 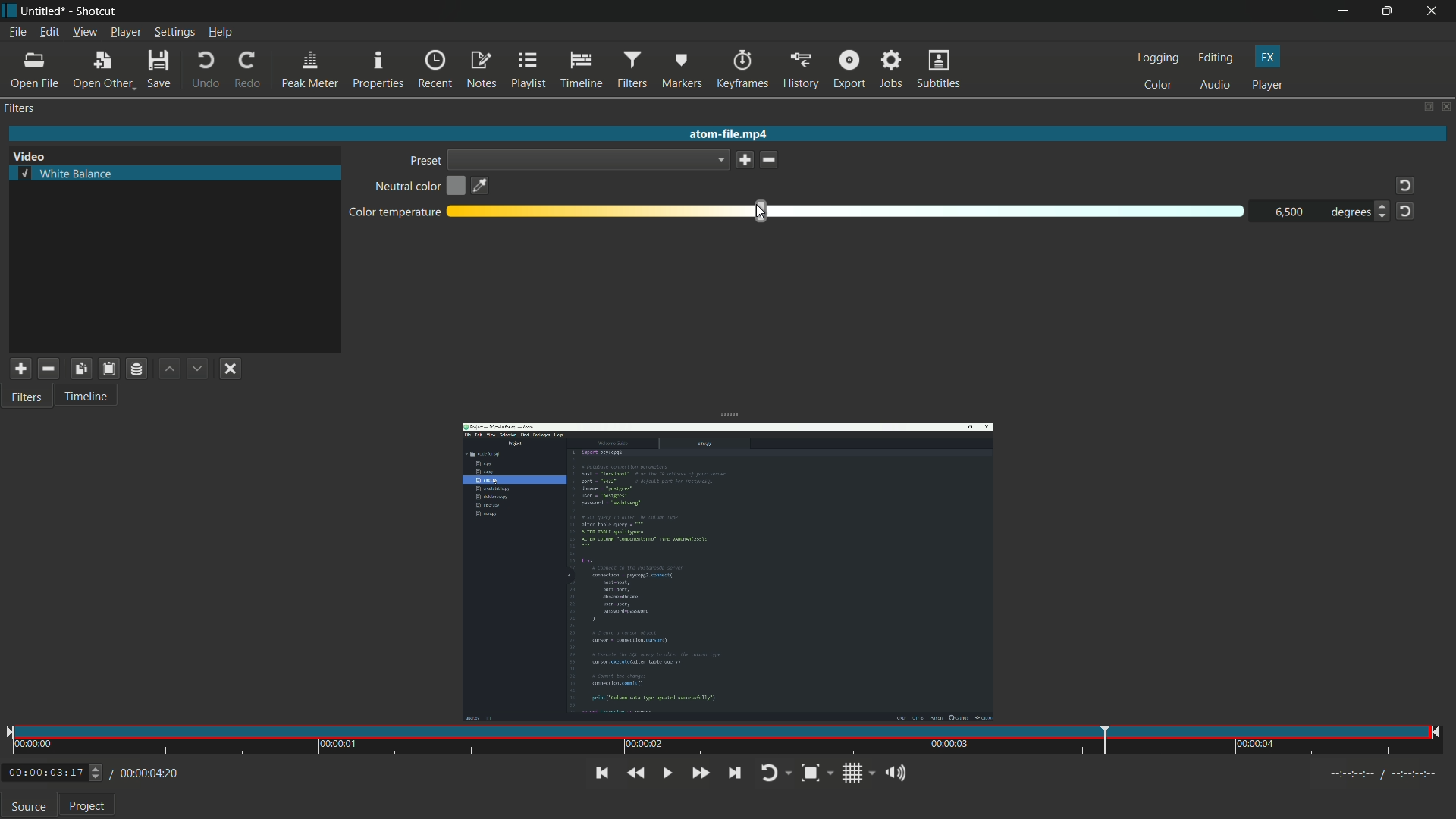 I want to click on quickly play forward, so click(x=700, y=773).